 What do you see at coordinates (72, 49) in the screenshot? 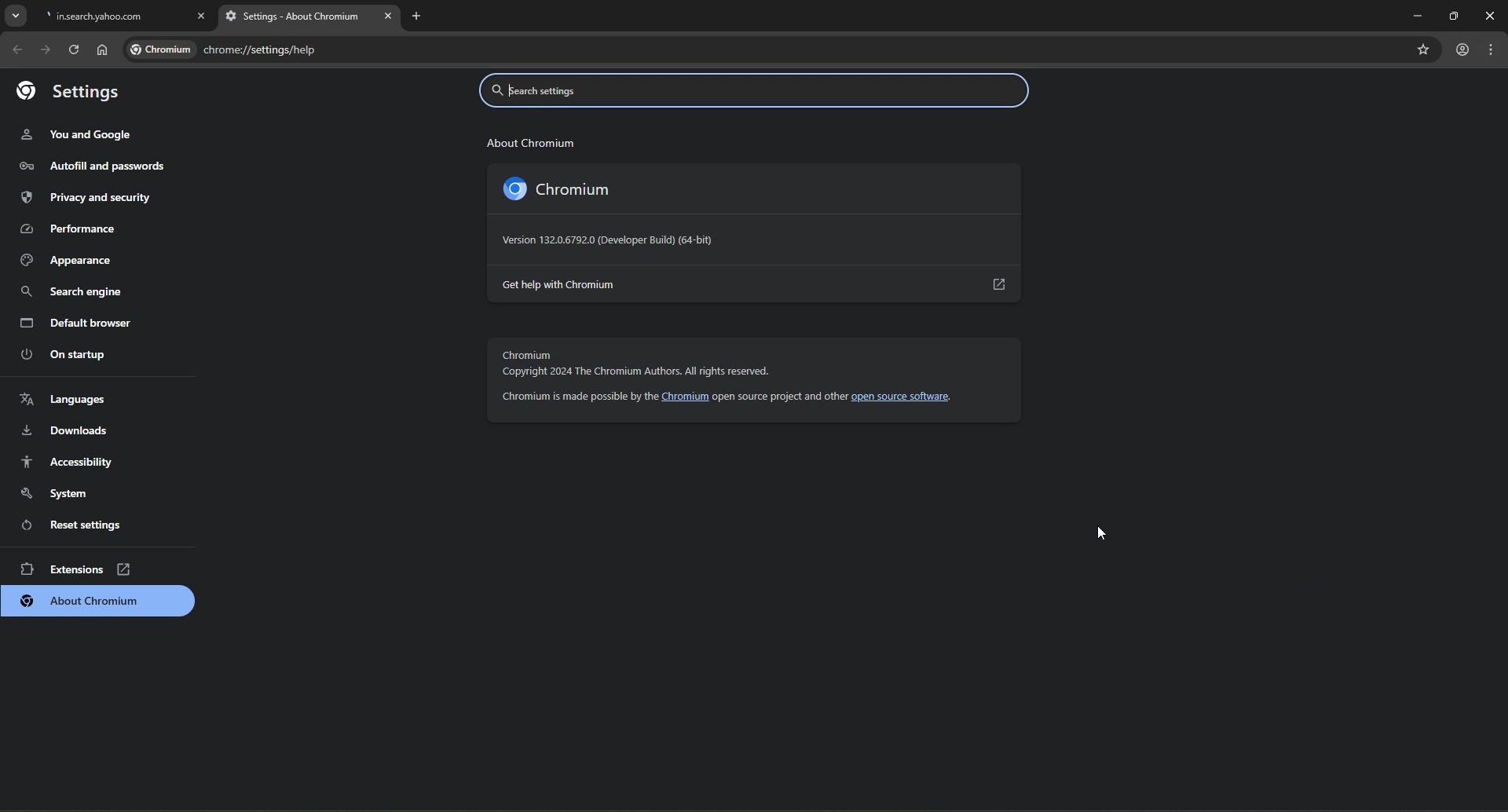
I see `Stop Reload` at bounding box center [72, 49].